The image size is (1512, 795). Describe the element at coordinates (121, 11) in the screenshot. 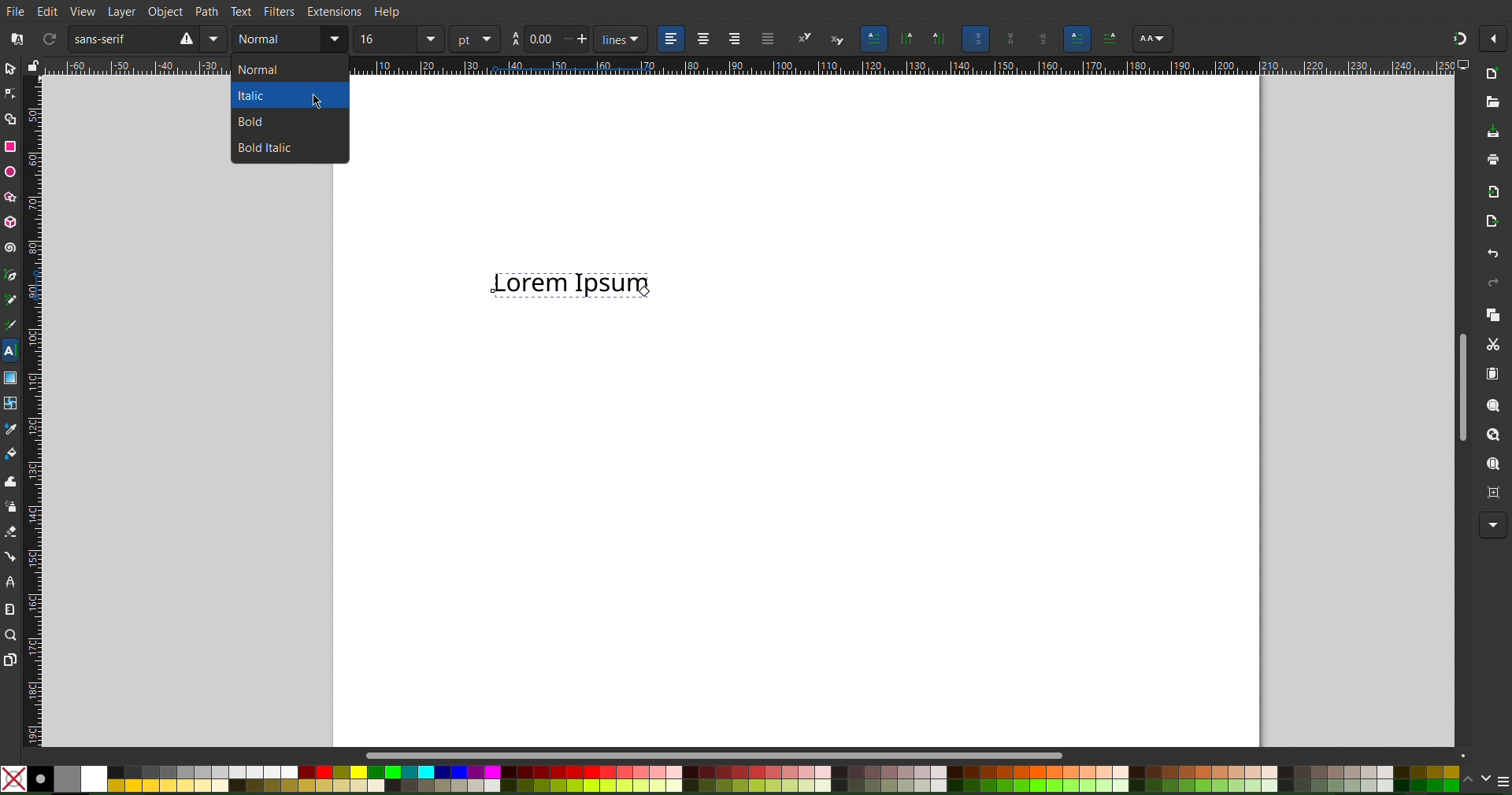

I see `Layer` at that location.